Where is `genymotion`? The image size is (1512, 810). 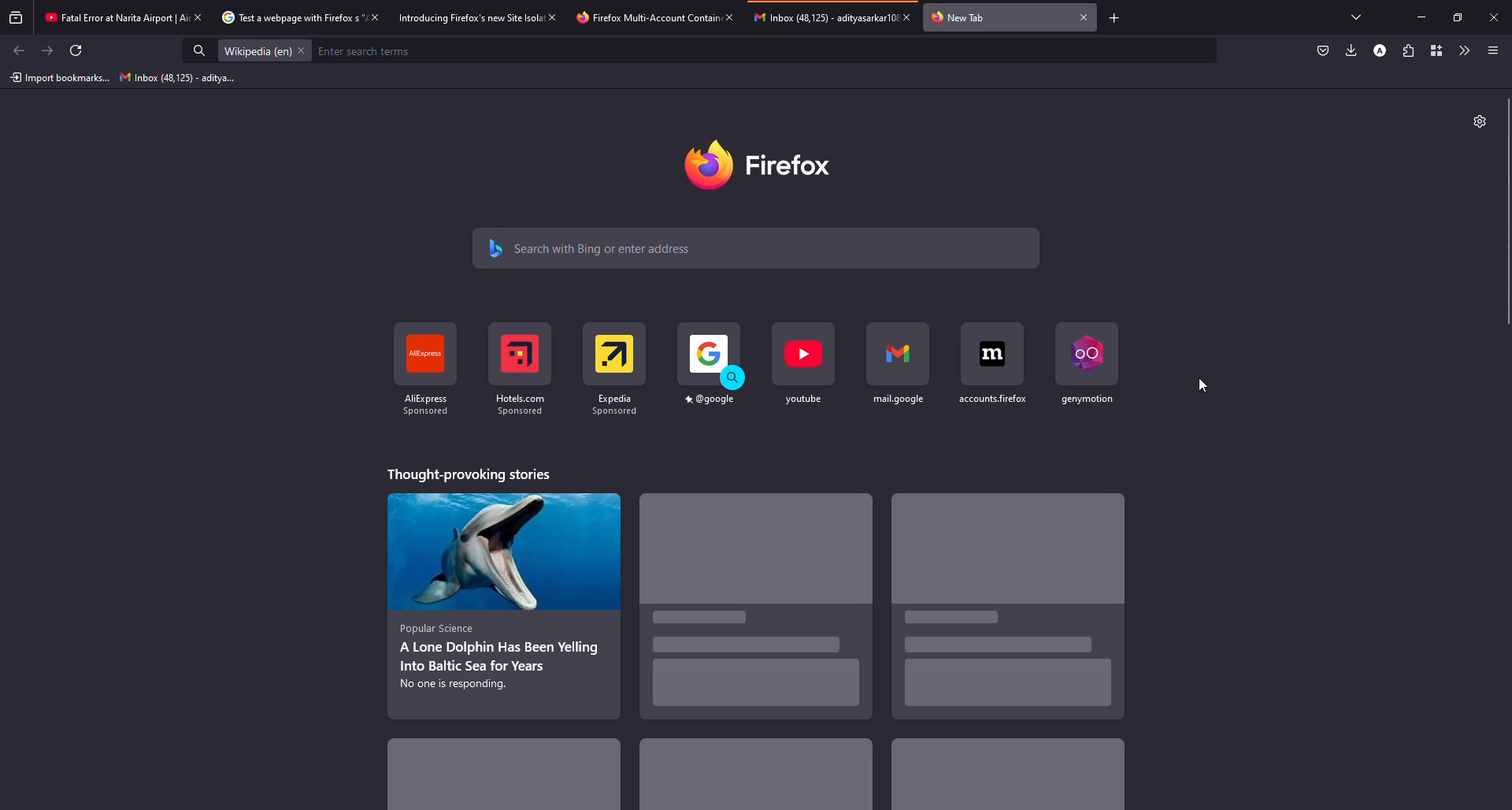
genymotion is located at coordinates (1088, 364).